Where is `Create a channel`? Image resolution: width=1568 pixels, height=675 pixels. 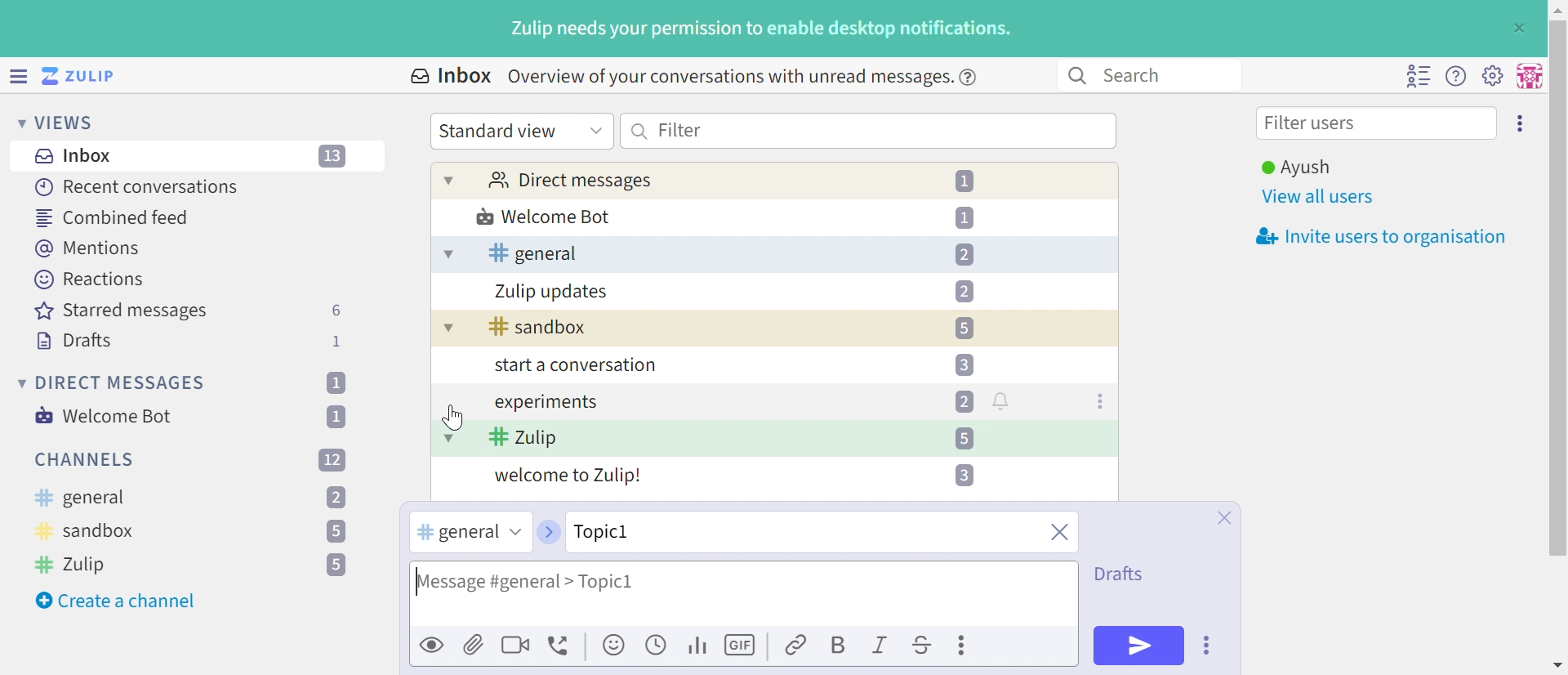 Create a channel is located at coordinates (118, 601).